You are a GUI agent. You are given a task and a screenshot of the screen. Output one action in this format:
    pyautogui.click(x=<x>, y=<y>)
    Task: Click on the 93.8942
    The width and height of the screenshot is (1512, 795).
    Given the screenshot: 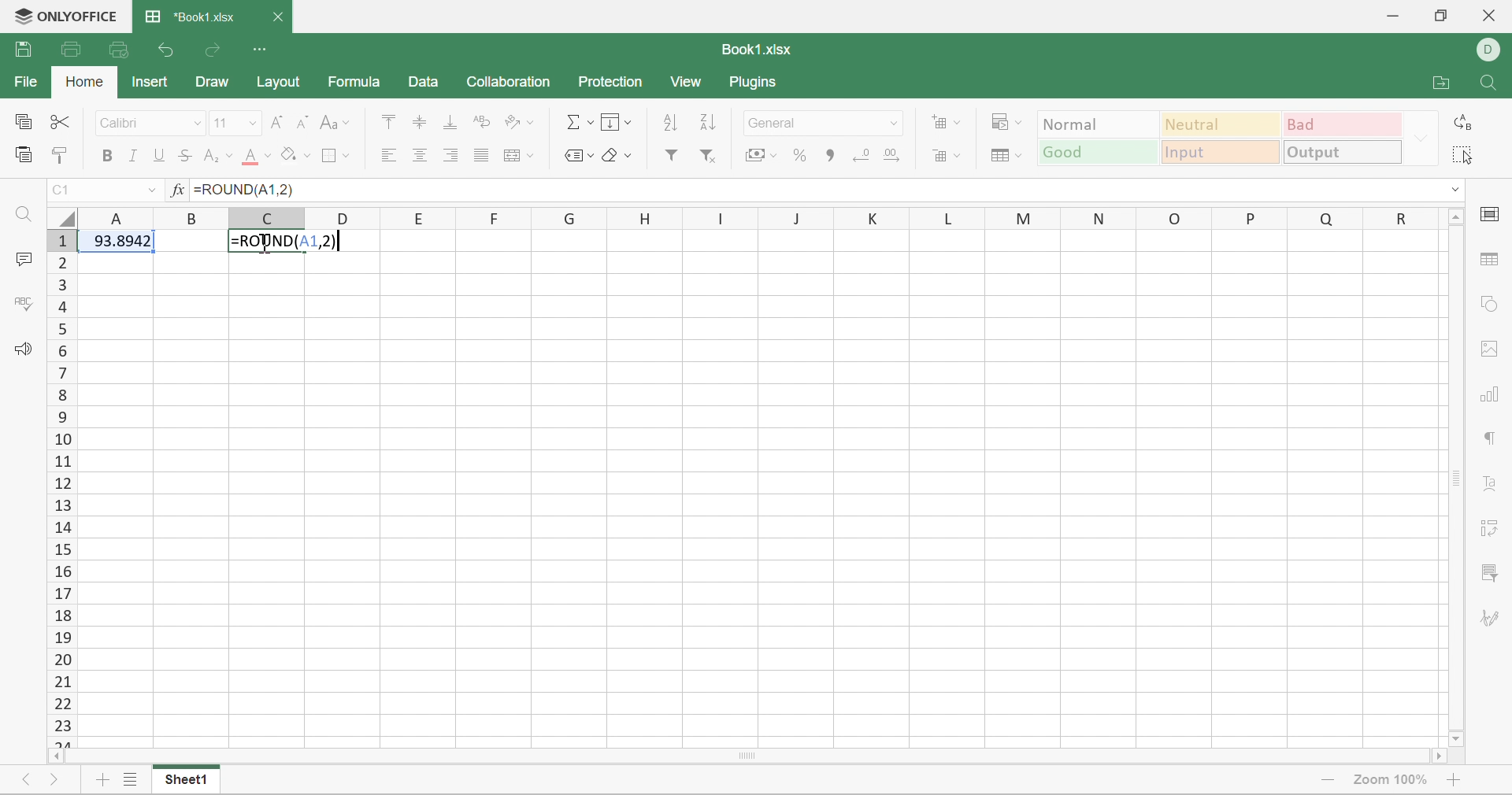 What is the action you would take?
    pyautogui.click(x=118, y=238)
    